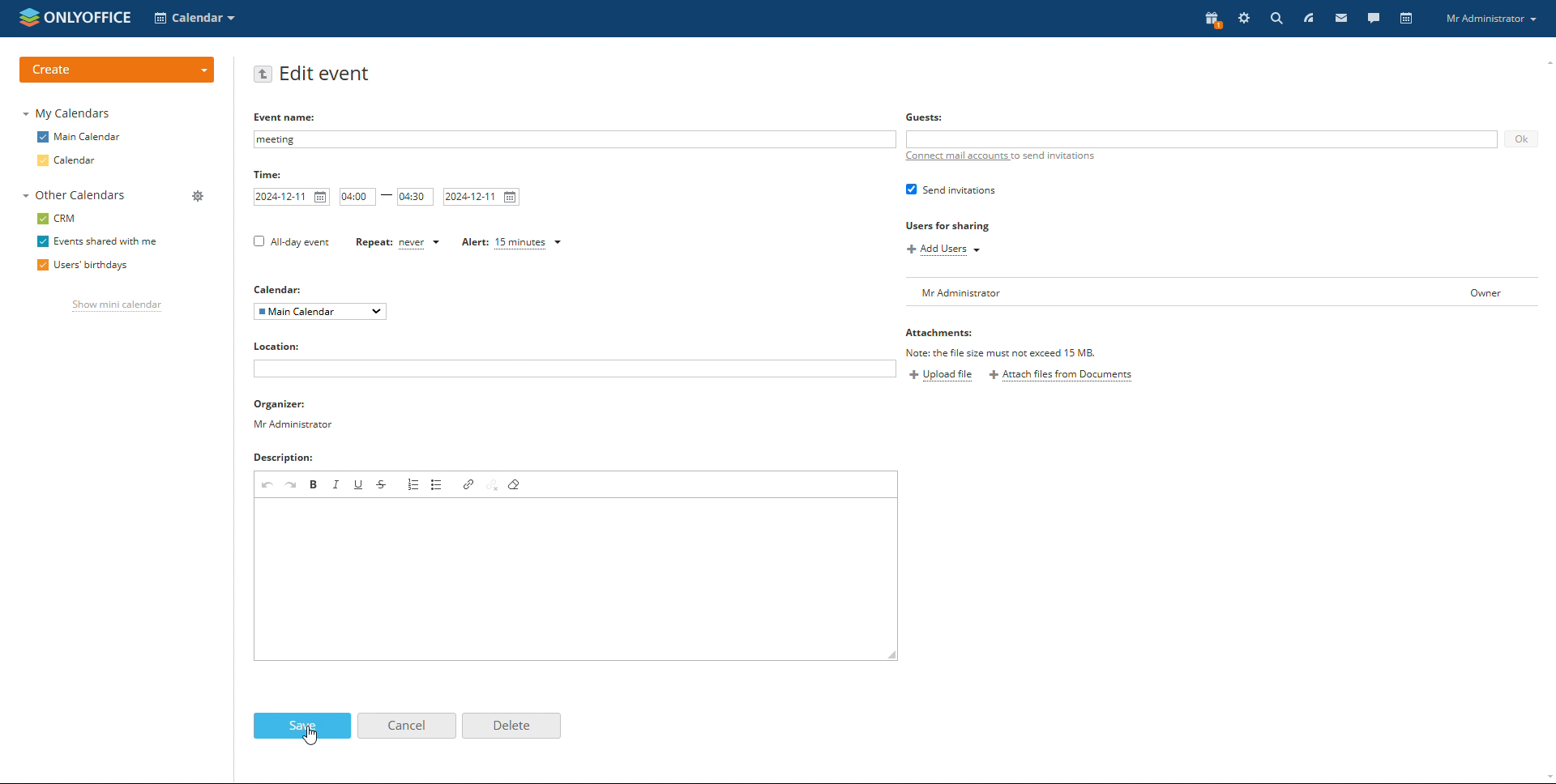 The image size is (1556, 784). I want to click on start time, so click(357, 197).